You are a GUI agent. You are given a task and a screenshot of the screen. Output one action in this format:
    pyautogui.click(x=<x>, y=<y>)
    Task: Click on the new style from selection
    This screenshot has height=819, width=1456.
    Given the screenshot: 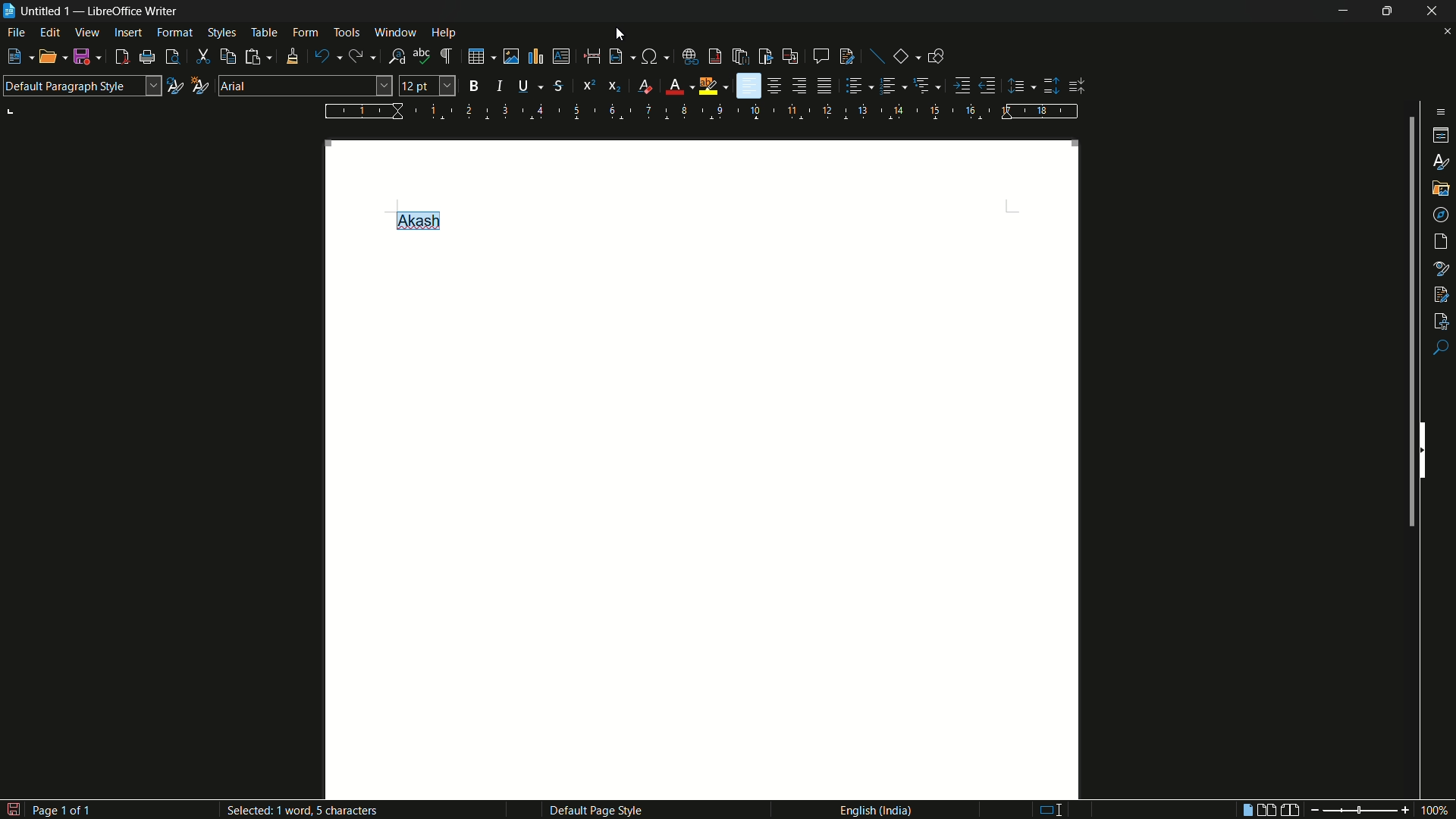 What is the action you would take?
    pyautogui.click(x=198, y=84)
    